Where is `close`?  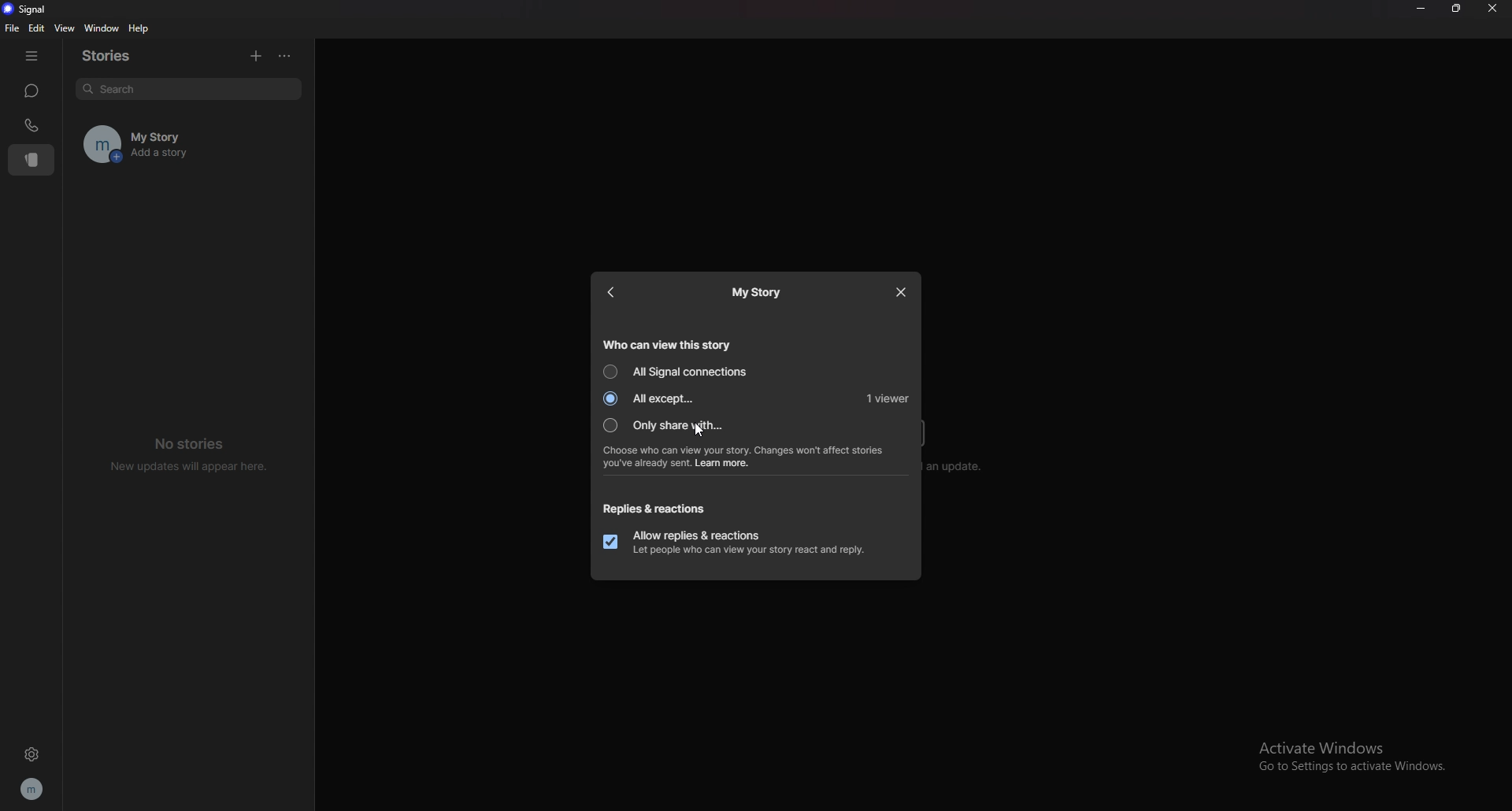 close is located at coordinates (902, 293).